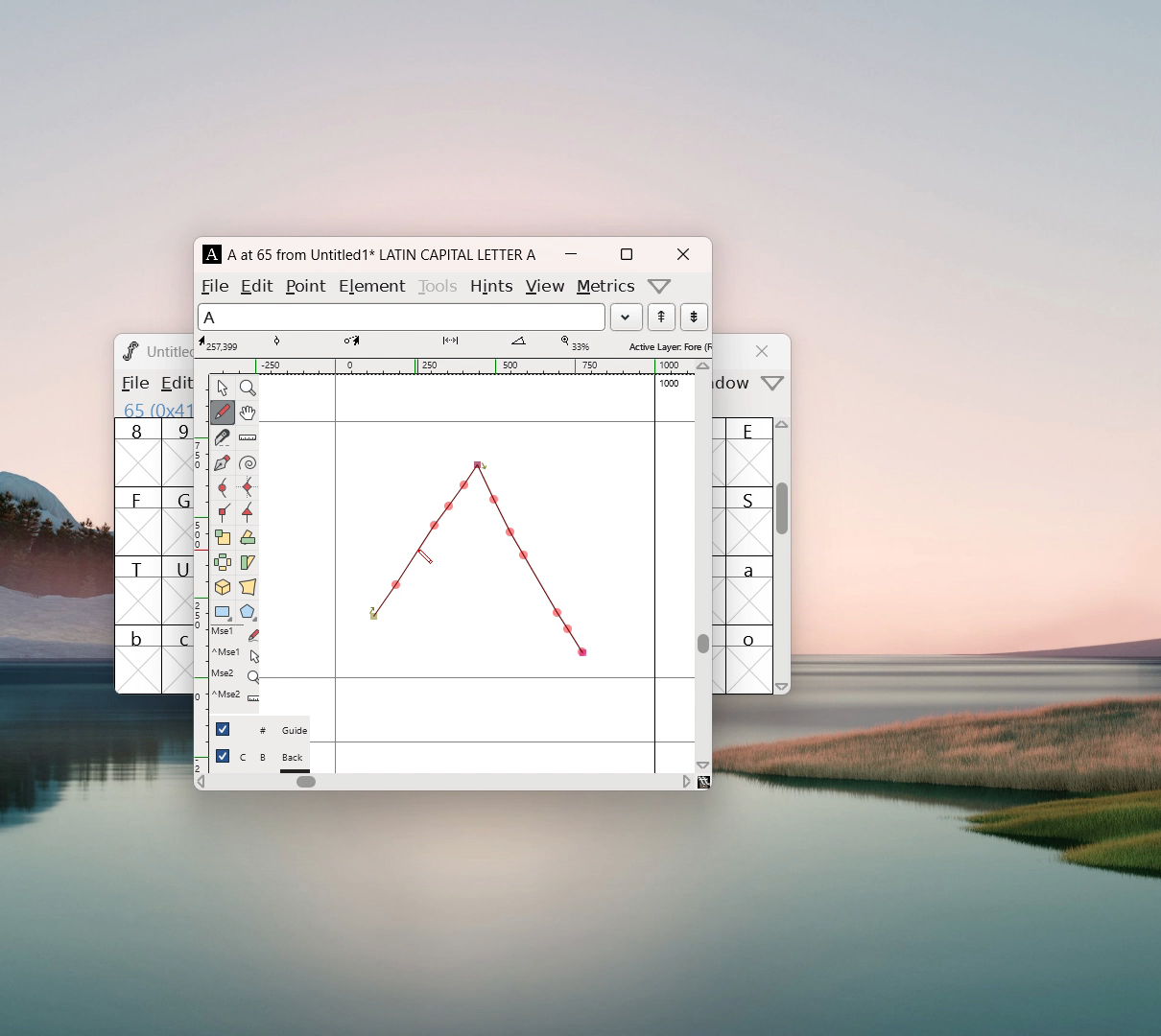 The image size is (1161, 1036). What do you see at coordinates (201, 572) in the screenshot?
I see `vertical ruler` at bounding box center [201, 572].